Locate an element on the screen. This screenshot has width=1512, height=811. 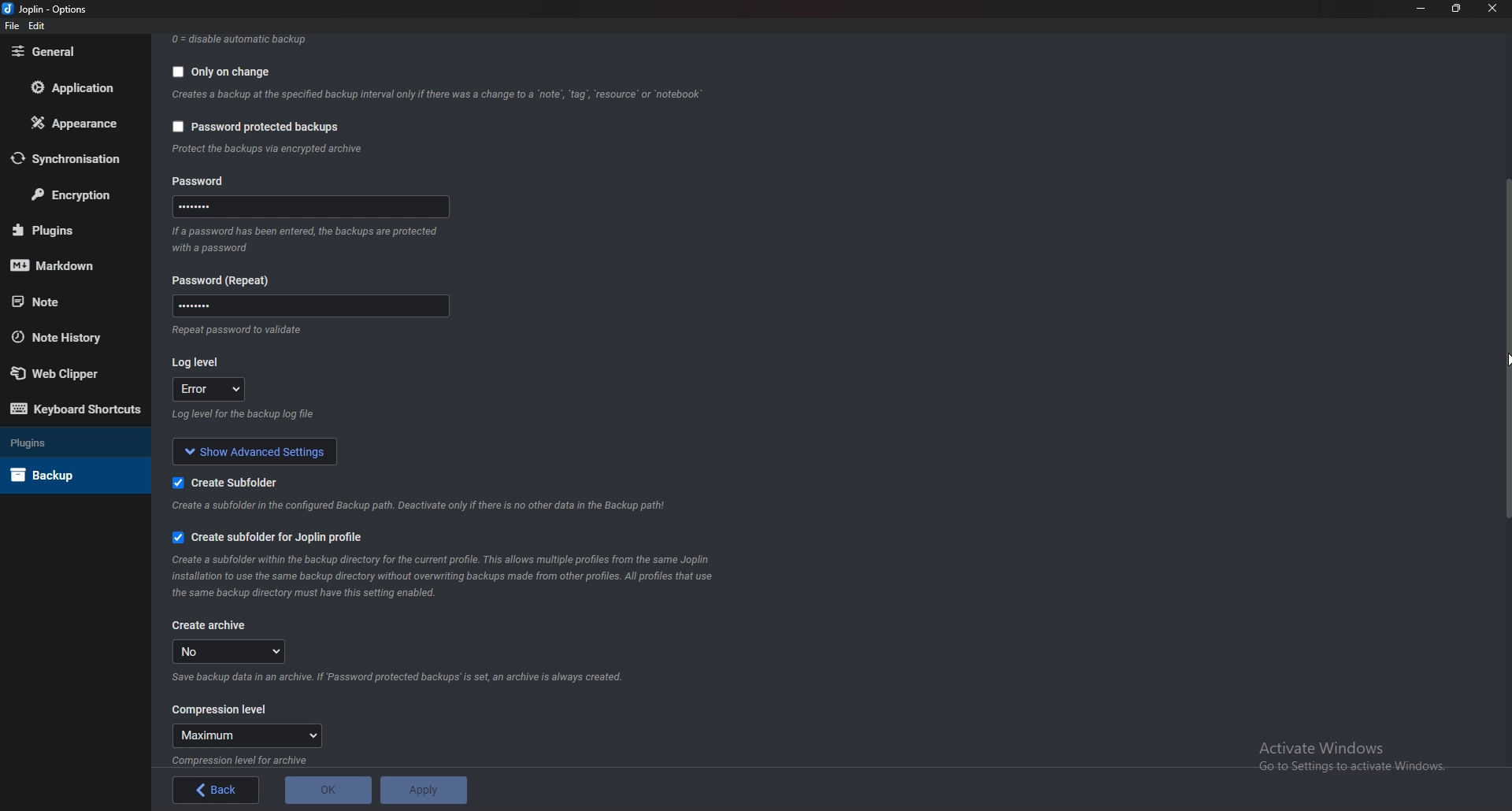
Info on password is located at coordinates (308, 243).